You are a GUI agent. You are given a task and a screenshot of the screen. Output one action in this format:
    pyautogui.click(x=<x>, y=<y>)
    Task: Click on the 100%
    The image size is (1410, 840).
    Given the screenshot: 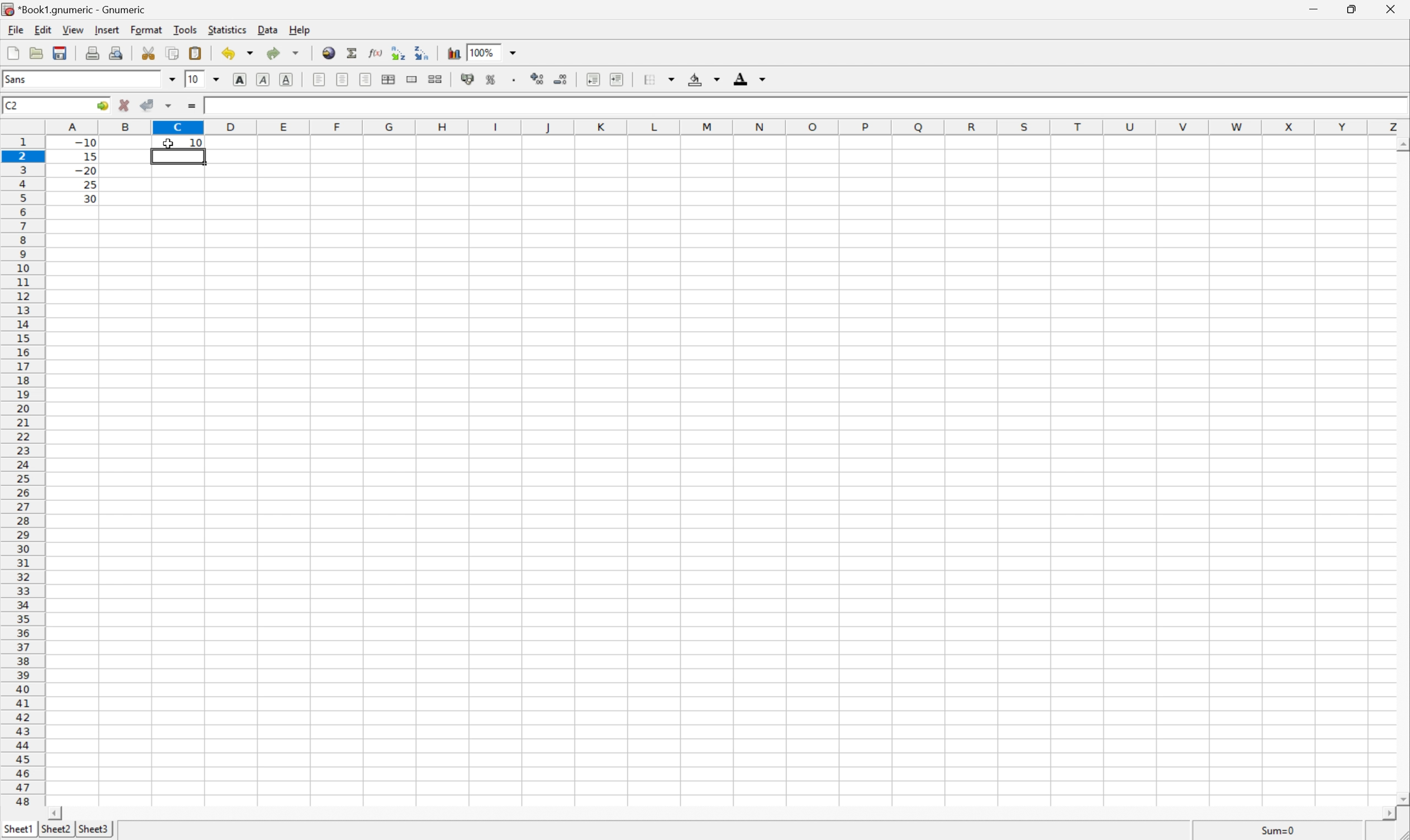 What is the action you would take?
    pyautogui.click(x=484, y=52)
    